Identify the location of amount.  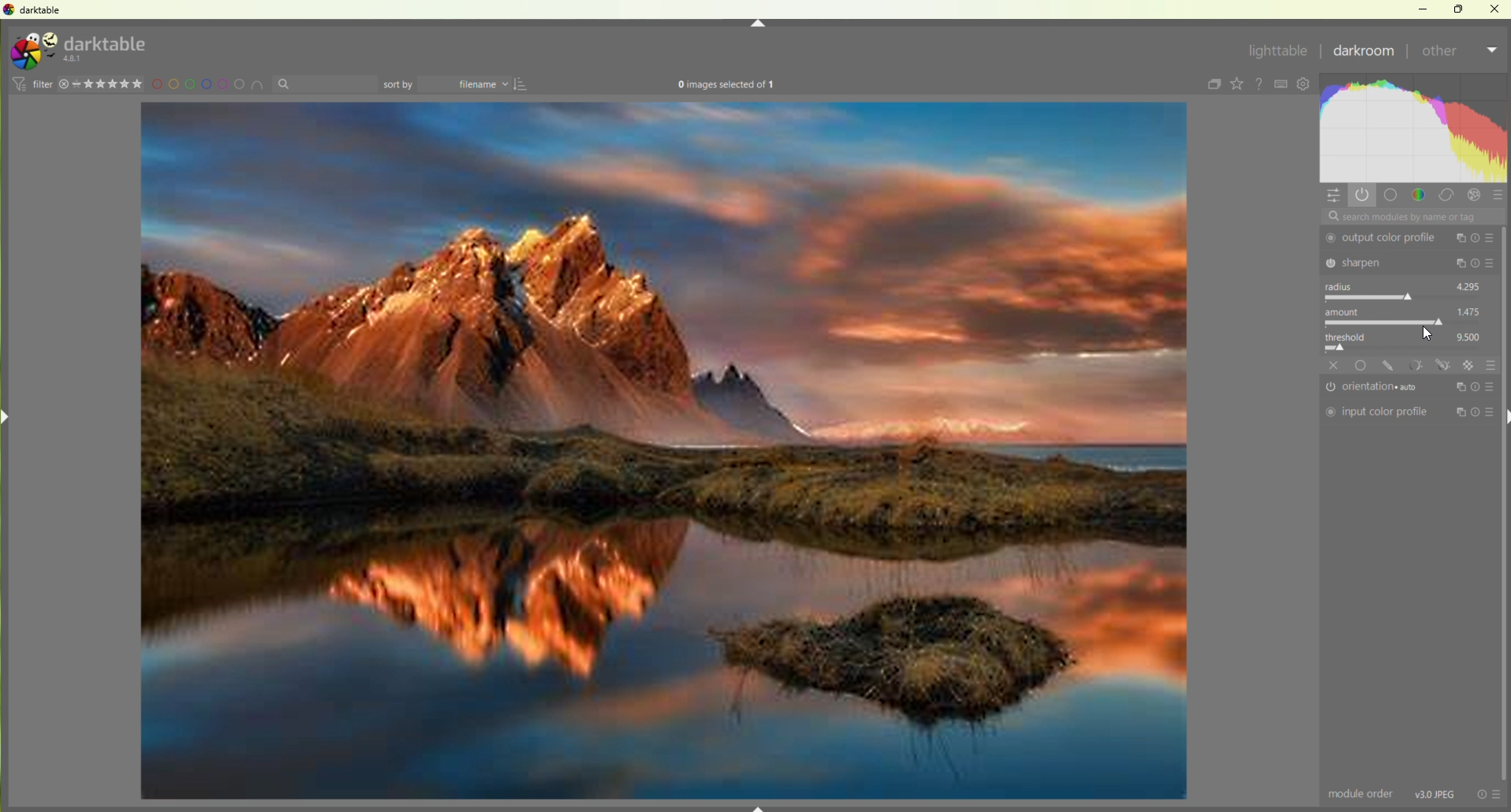
(1347, 311).